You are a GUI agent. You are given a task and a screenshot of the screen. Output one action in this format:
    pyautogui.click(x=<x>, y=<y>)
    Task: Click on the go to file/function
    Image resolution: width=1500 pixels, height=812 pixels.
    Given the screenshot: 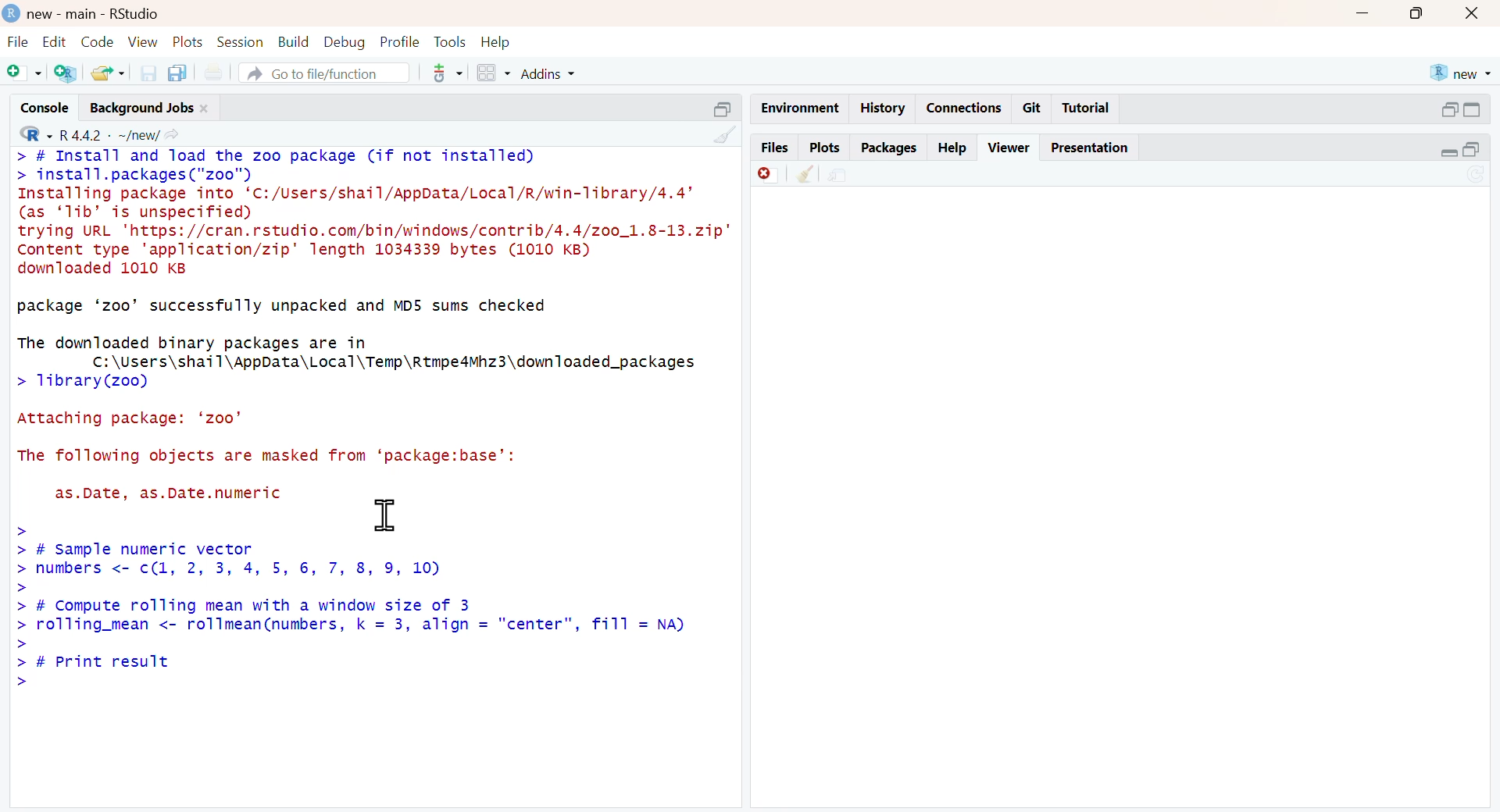 What is the action you would take?
    pyautogui.click(x=323, y=73)
    